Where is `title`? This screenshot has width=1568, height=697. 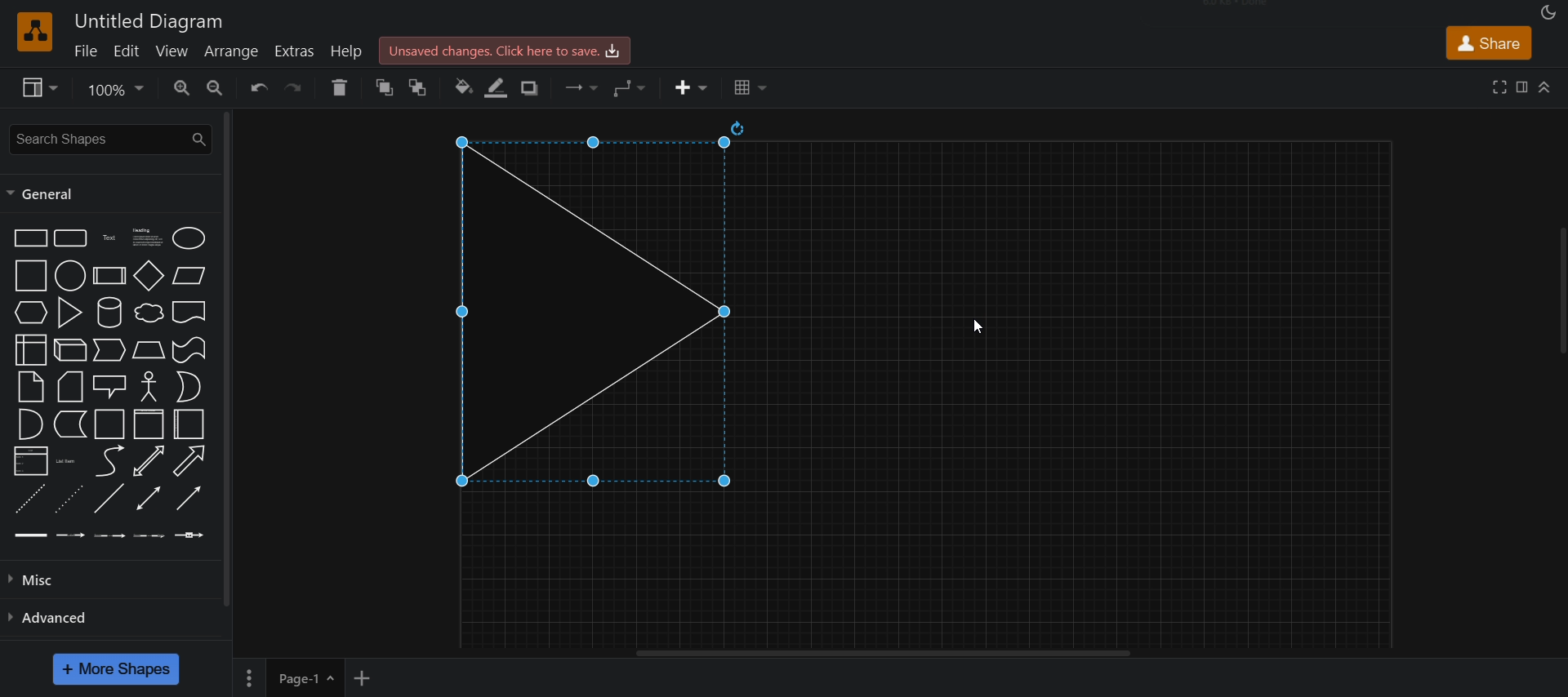
title is located at coordinates (147, 21).